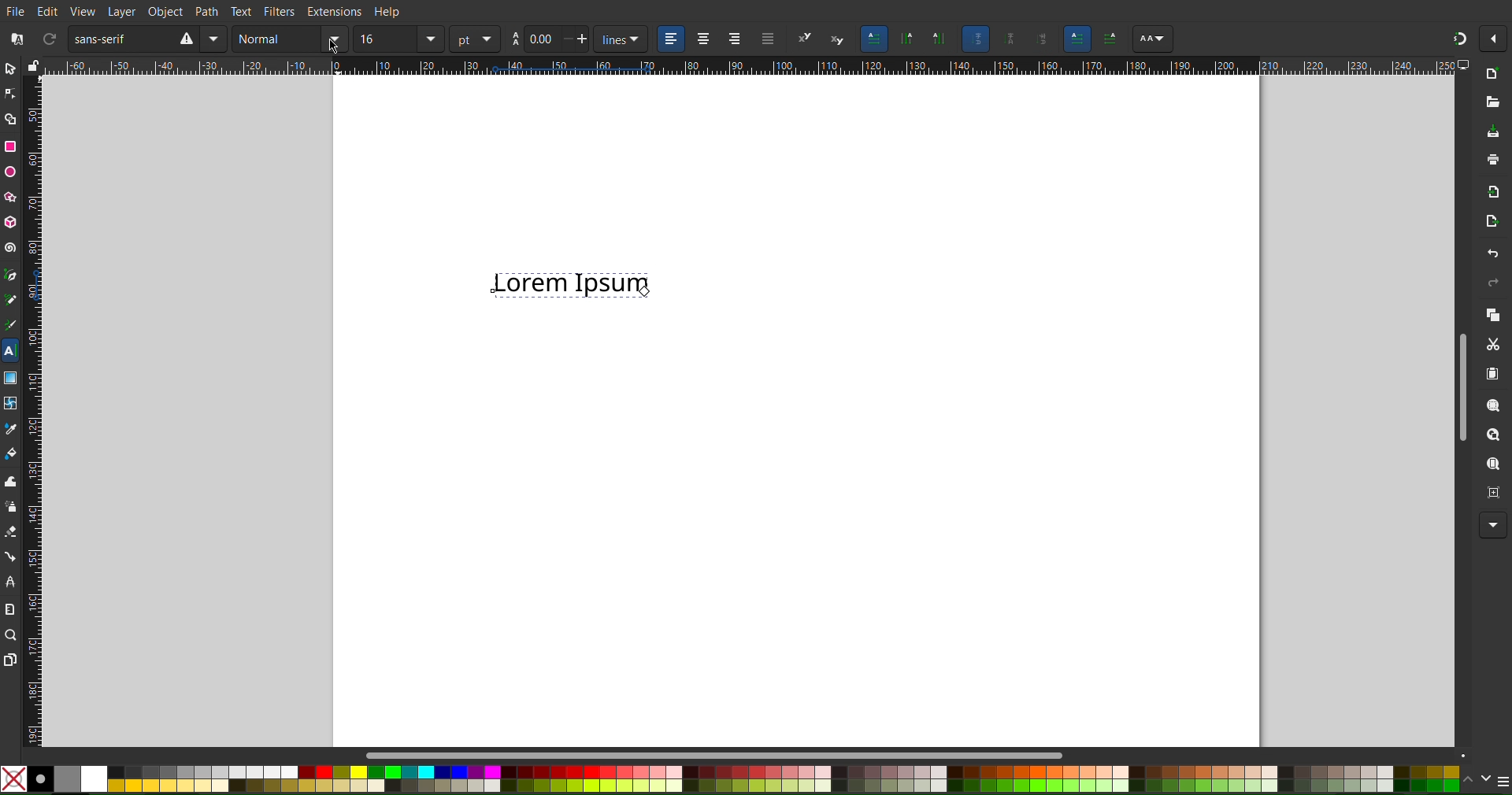  I want to click on Cursor, so click(328, 47).